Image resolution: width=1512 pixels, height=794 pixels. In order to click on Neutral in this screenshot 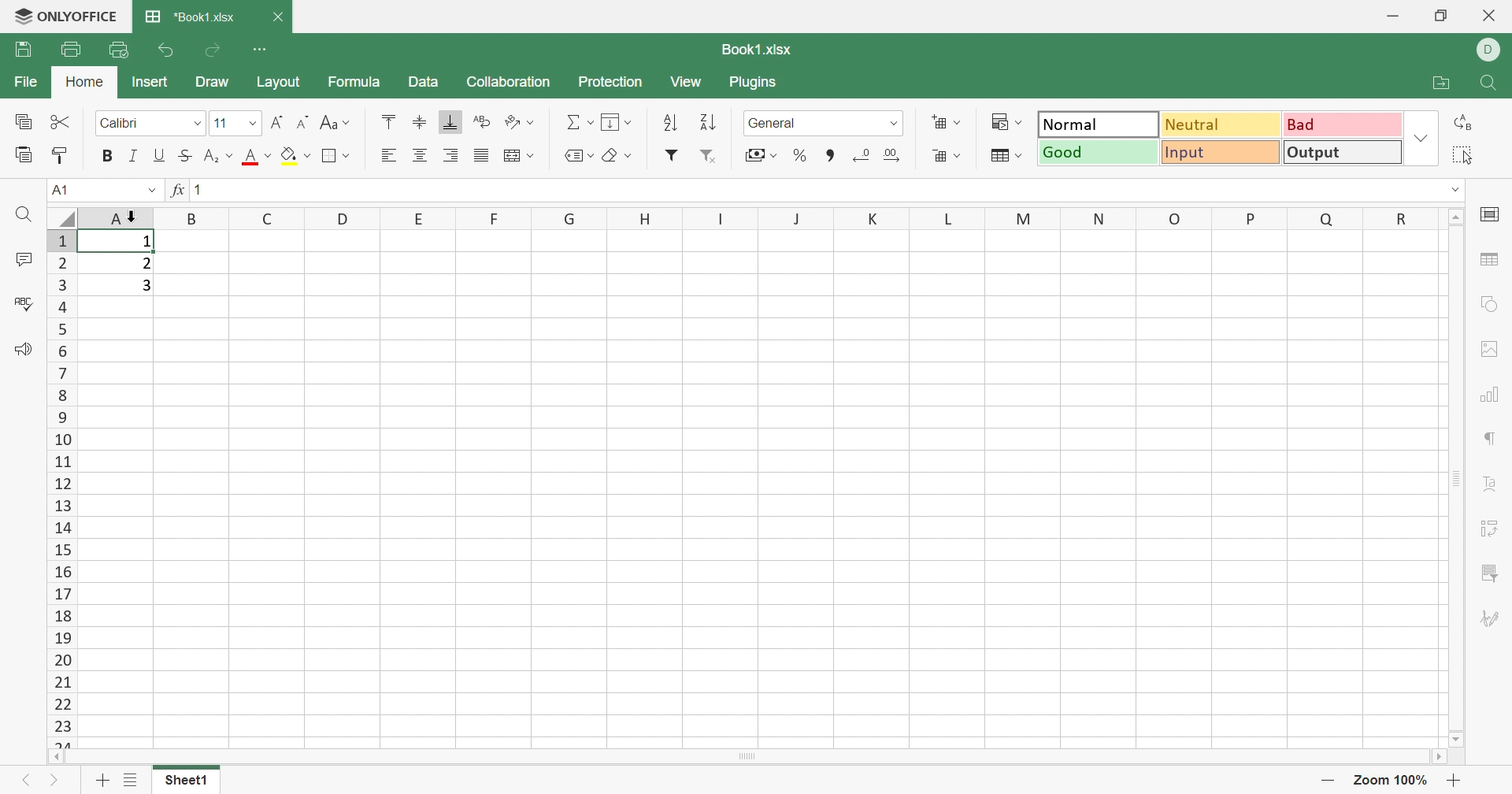, I will do `click(1223, 124)`.